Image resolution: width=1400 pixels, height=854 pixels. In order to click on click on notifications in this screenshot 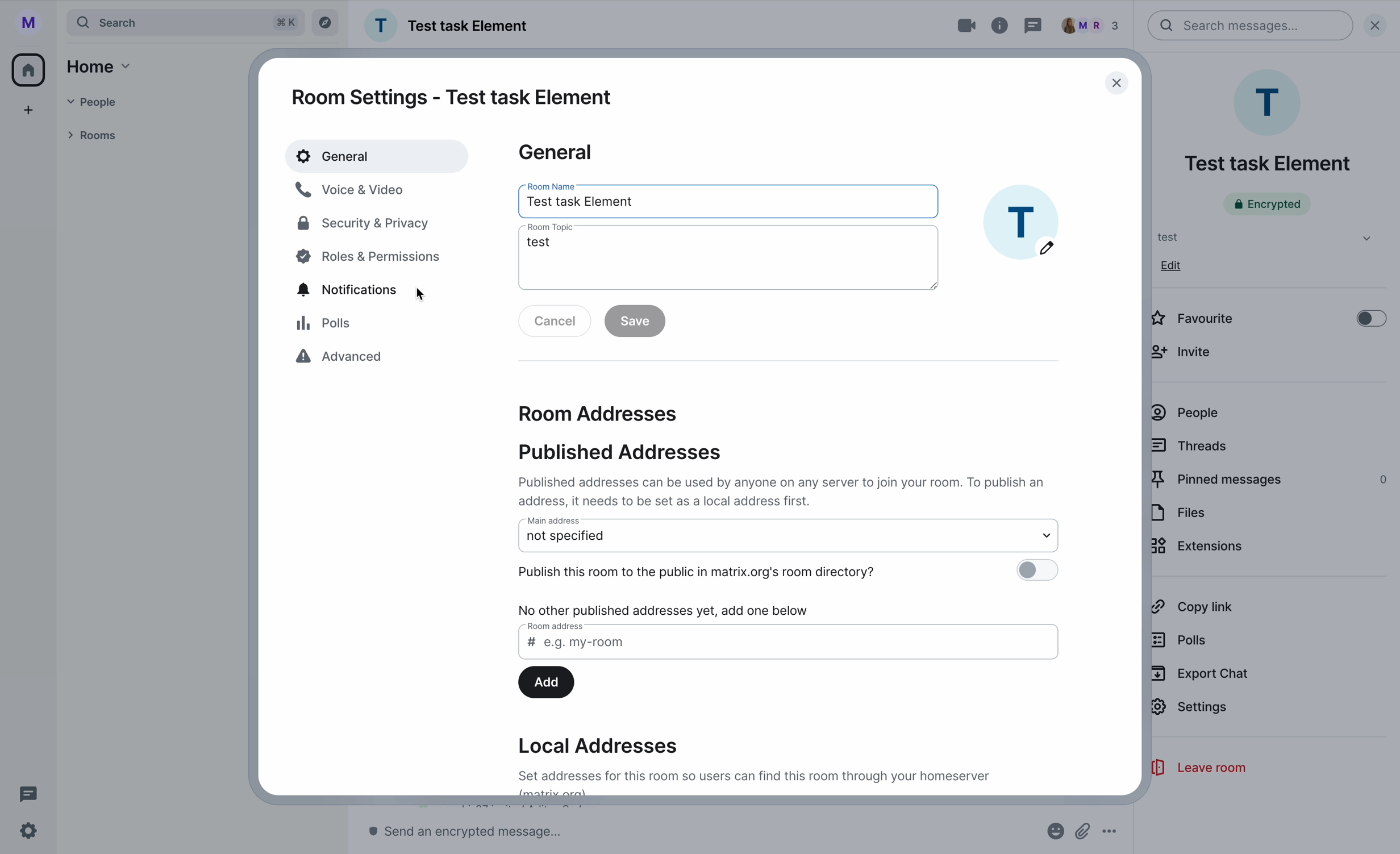, I will do `click(368, 291)`.